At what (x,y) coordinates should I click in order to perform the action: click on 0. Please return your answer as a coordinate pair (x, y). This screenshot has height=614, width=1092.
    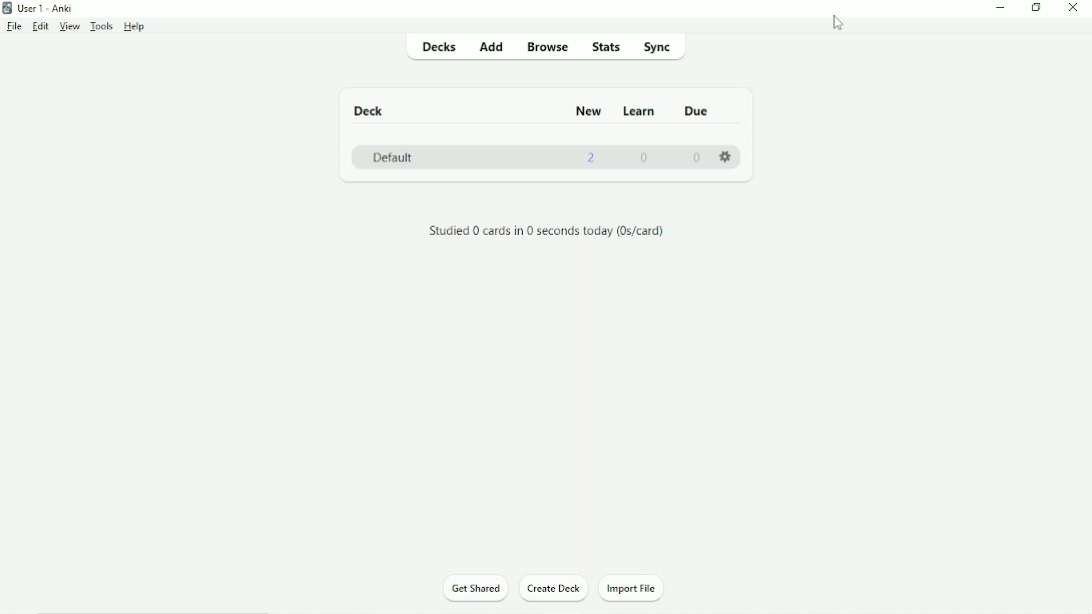
    Looking at the image, I should click on (698, 157).